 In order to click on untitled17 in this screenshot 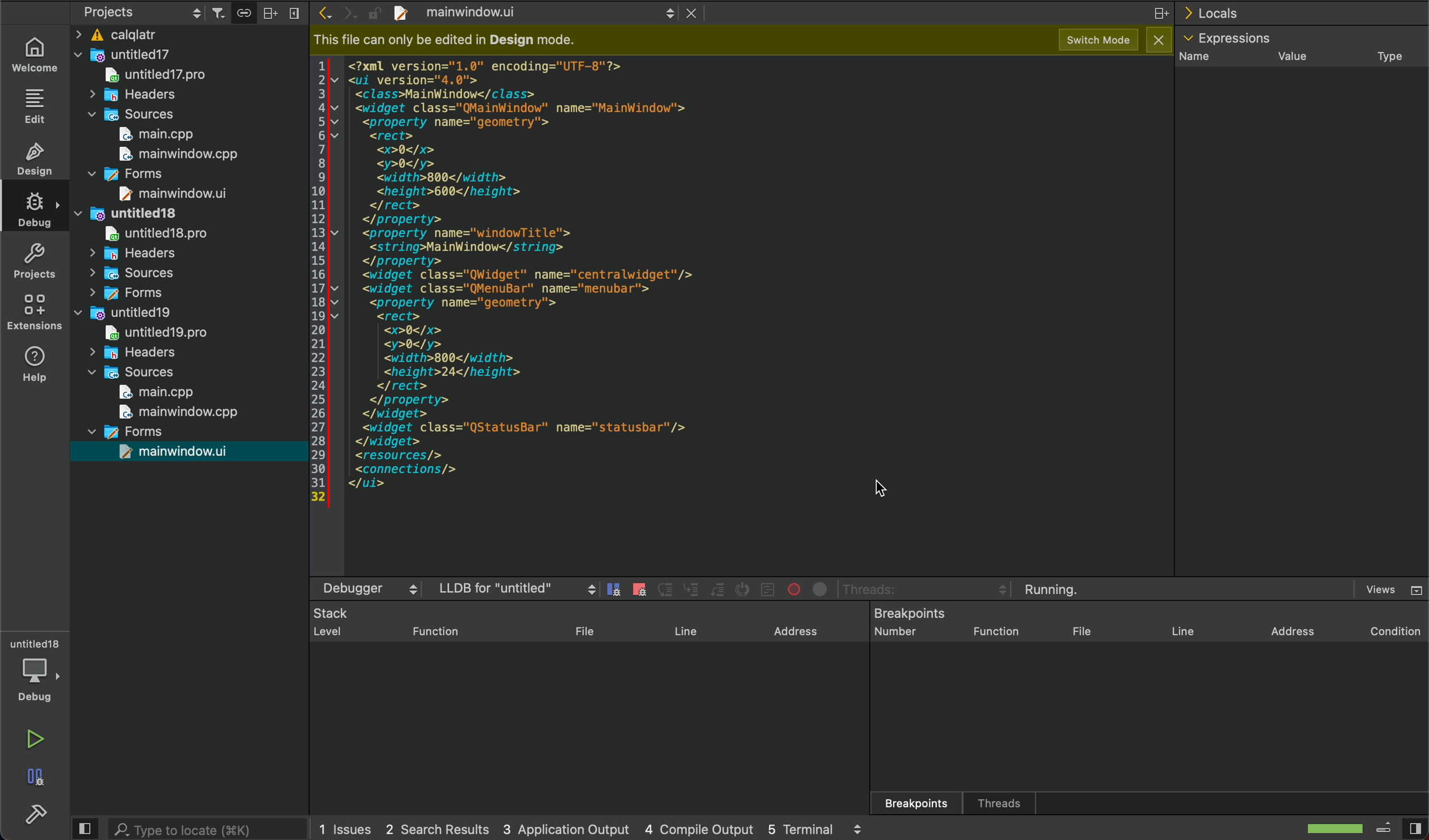, I will do `click(133, 54)`.